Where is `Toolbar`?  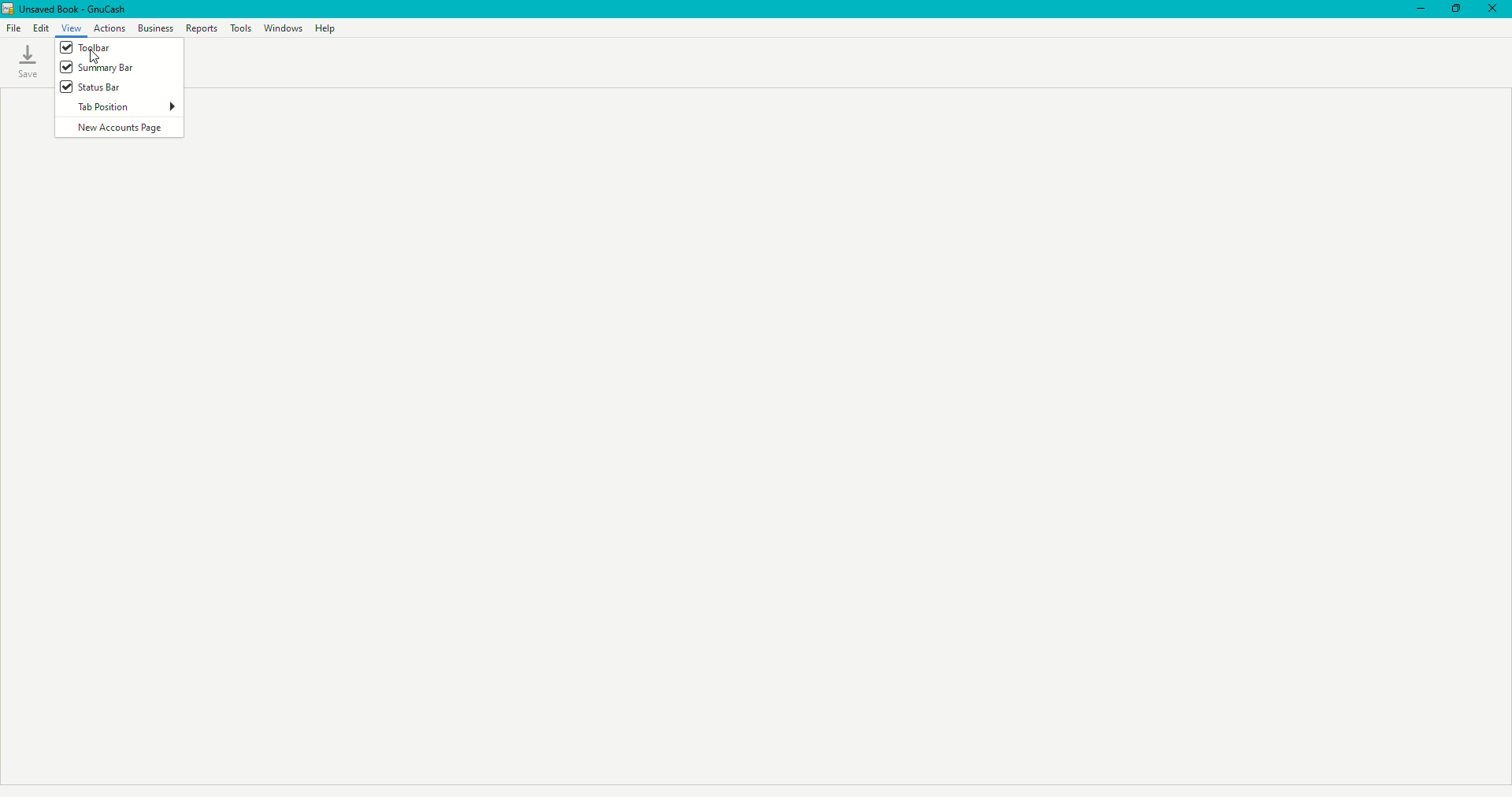
Toolbar is located at coordinates (92, 48).